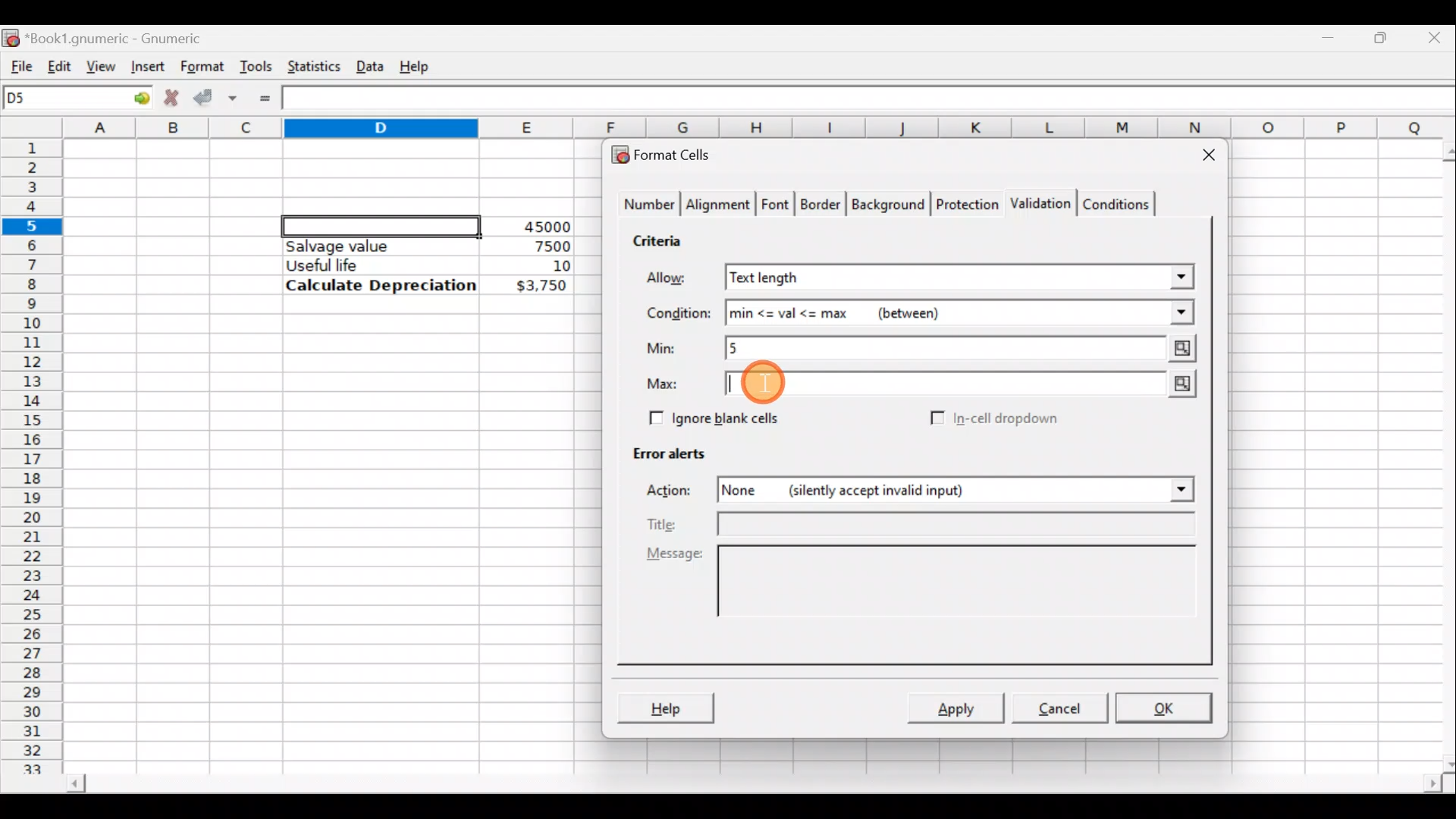 This screenshot has height=819, width=1456. I want to click on Max, so click(668, 384).